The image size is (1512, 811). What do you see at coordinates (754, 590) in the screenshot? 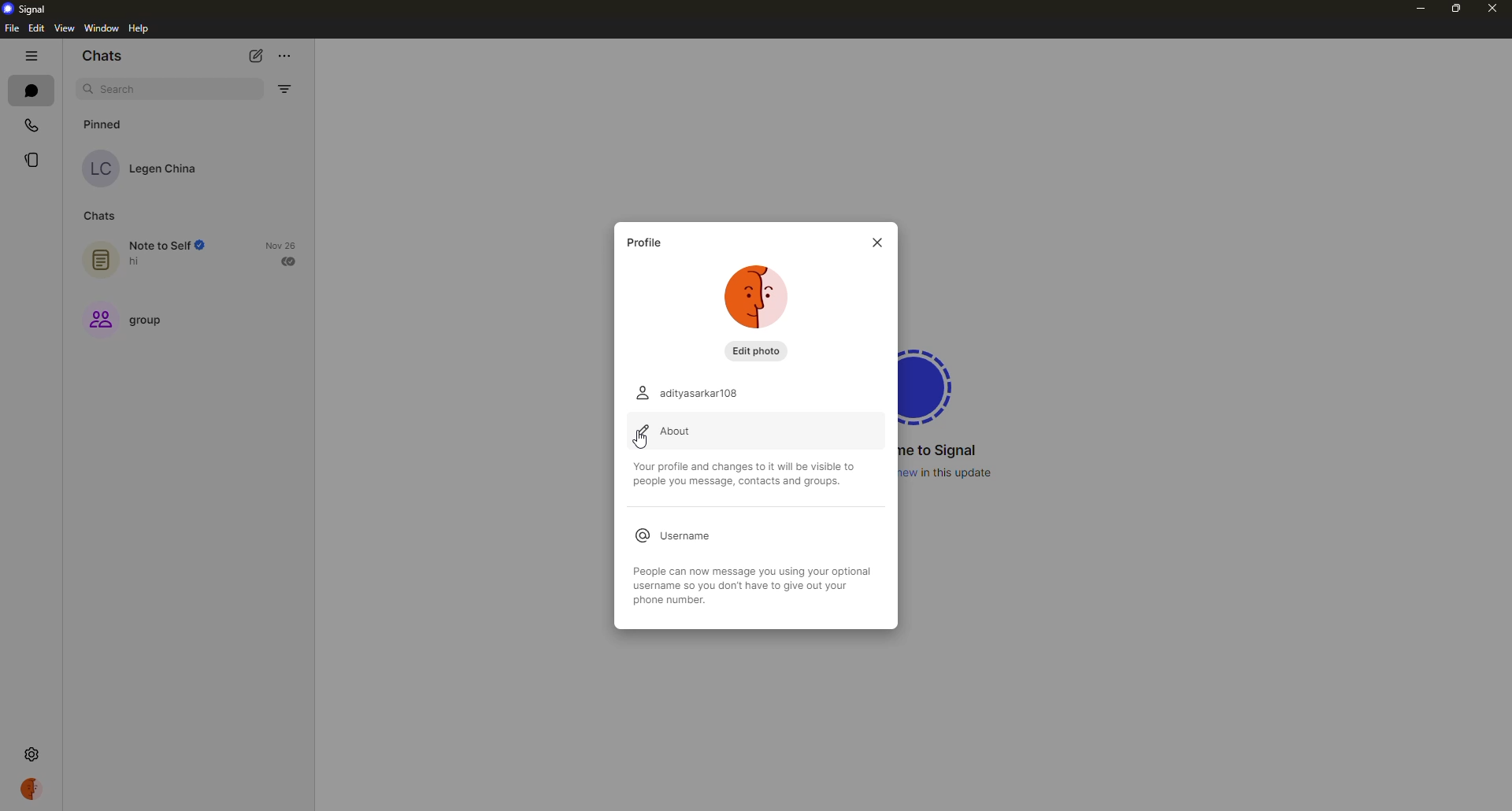
I see `information about username` at bounding box center [754, 590].